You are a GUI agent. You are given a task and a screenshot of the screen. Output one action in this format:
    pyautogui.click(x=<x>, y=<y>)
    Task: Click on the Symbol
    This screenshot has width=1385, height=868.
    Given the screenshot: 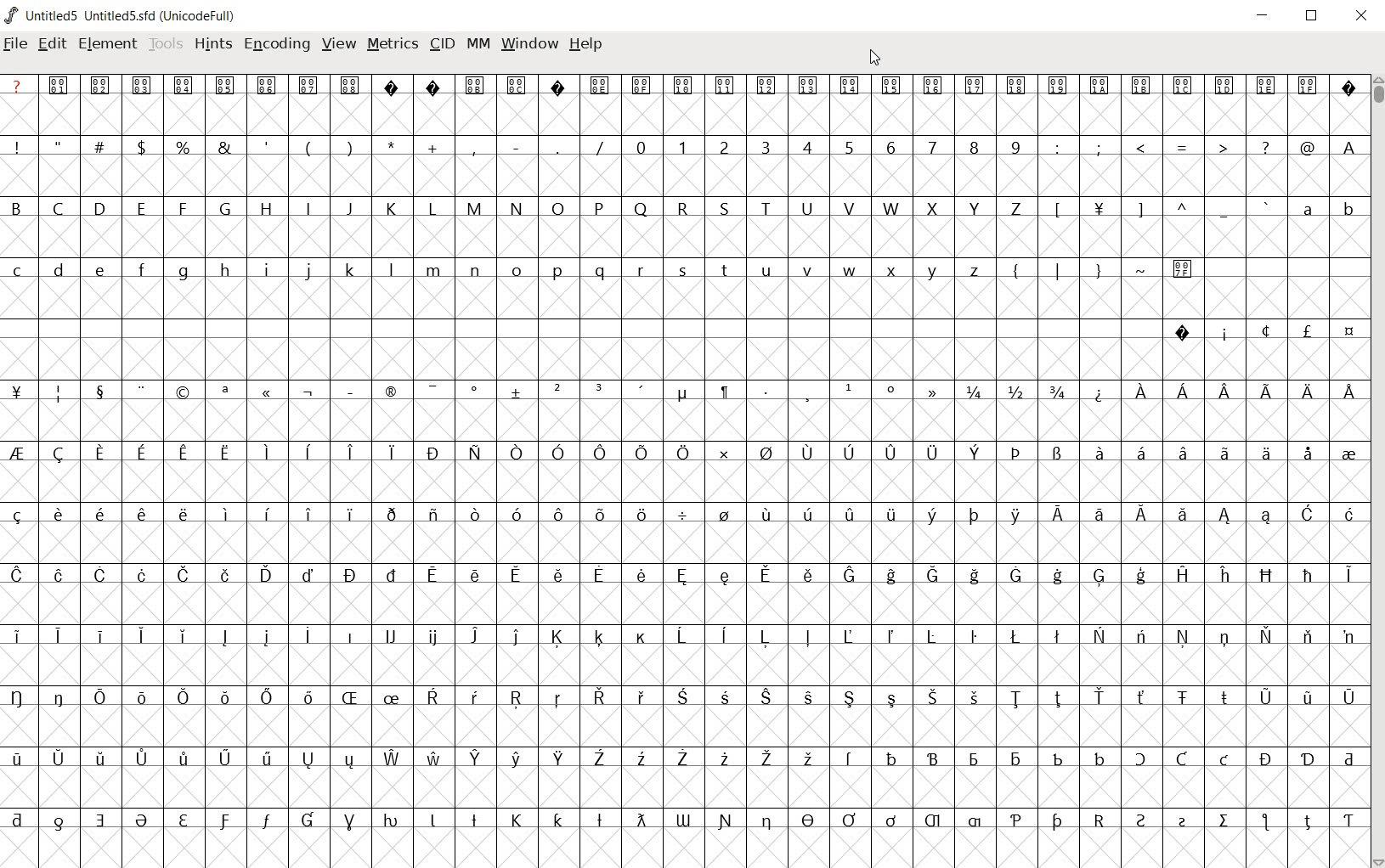 What is the action you would take?
    pyautogui.click(x=890, y=820)
    